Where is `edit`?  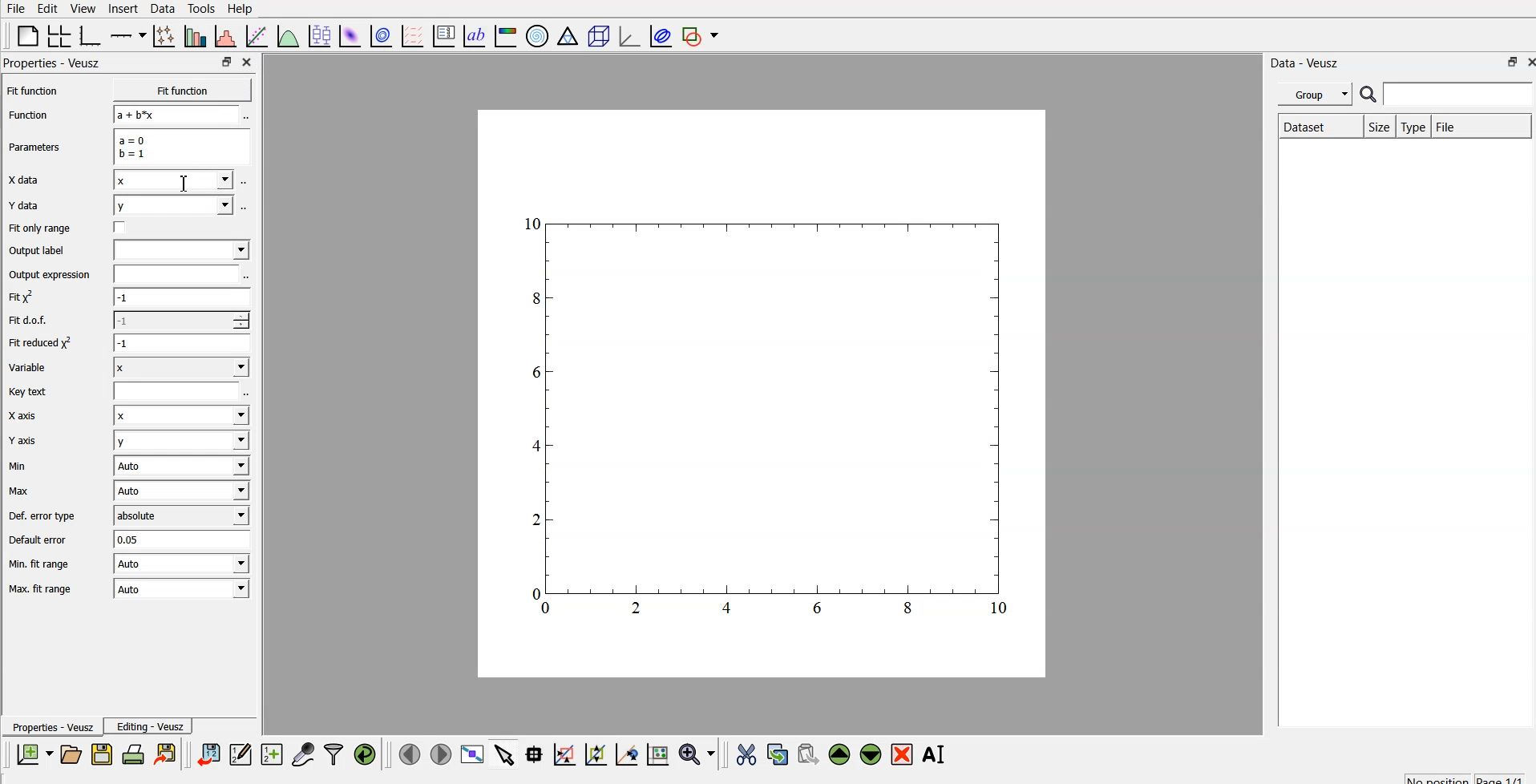 edit is located at coordinates (45, 8).